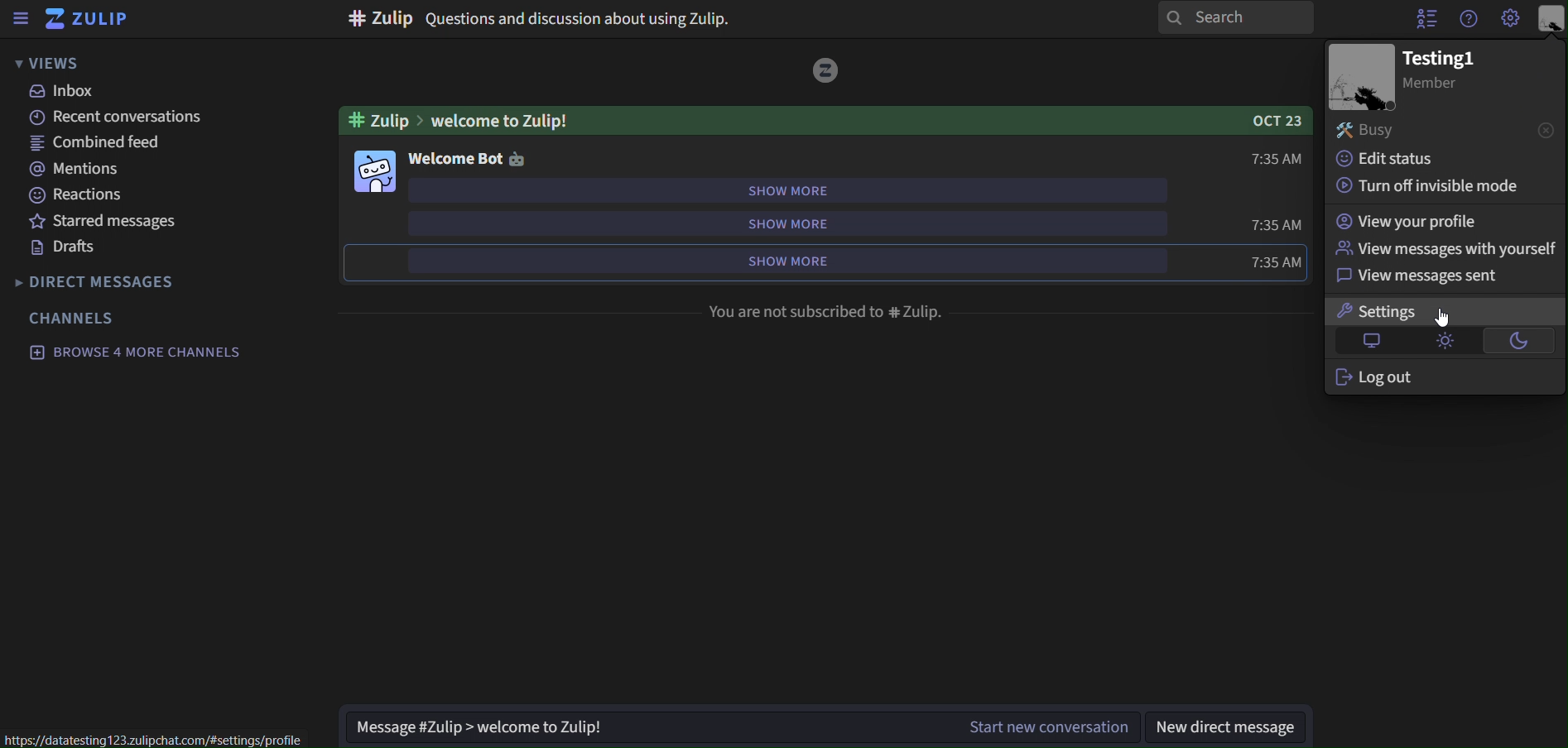 The image size is (1568, 748). What do you see at coordinates (463, 119) in the screenshot?
I see `#Zulip> welcome to Zulip!` at bounding box center [463, 119].